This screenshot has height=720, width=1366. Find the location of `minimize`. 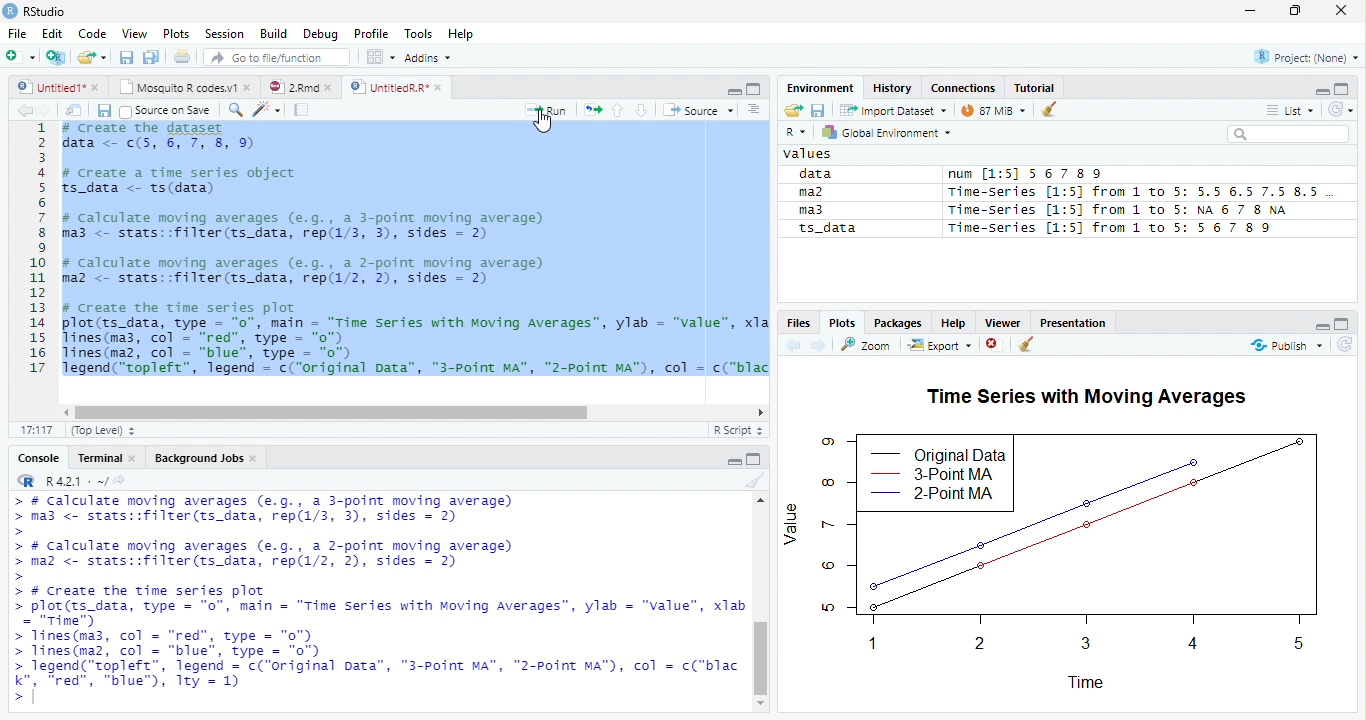

minimize is located at coordinates (1319, 93).